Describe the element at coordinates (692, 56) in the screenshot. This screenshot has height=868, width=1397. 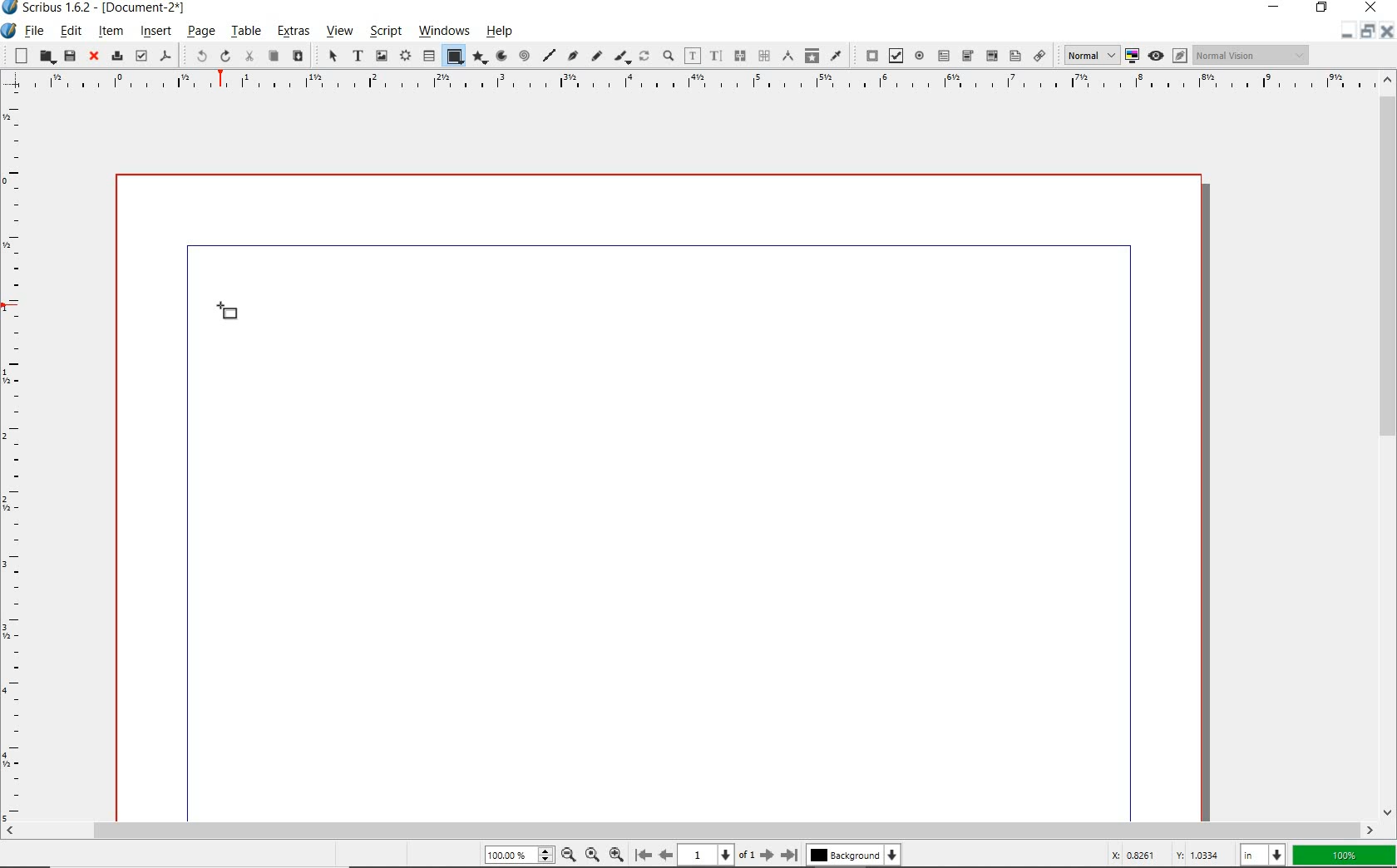
I see `edit contents of frame` at that location.